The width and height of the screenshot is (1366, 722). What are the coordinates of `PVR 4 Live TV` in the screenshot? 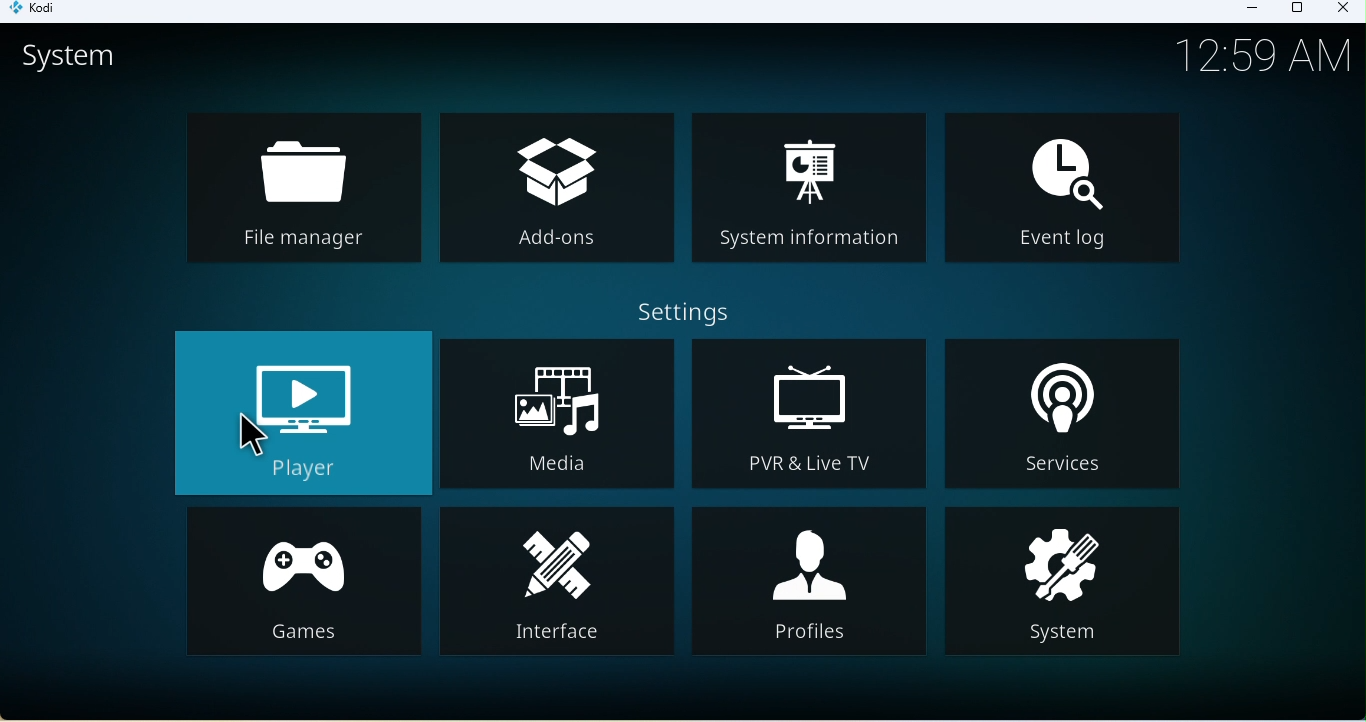 It's located at (805, 419).